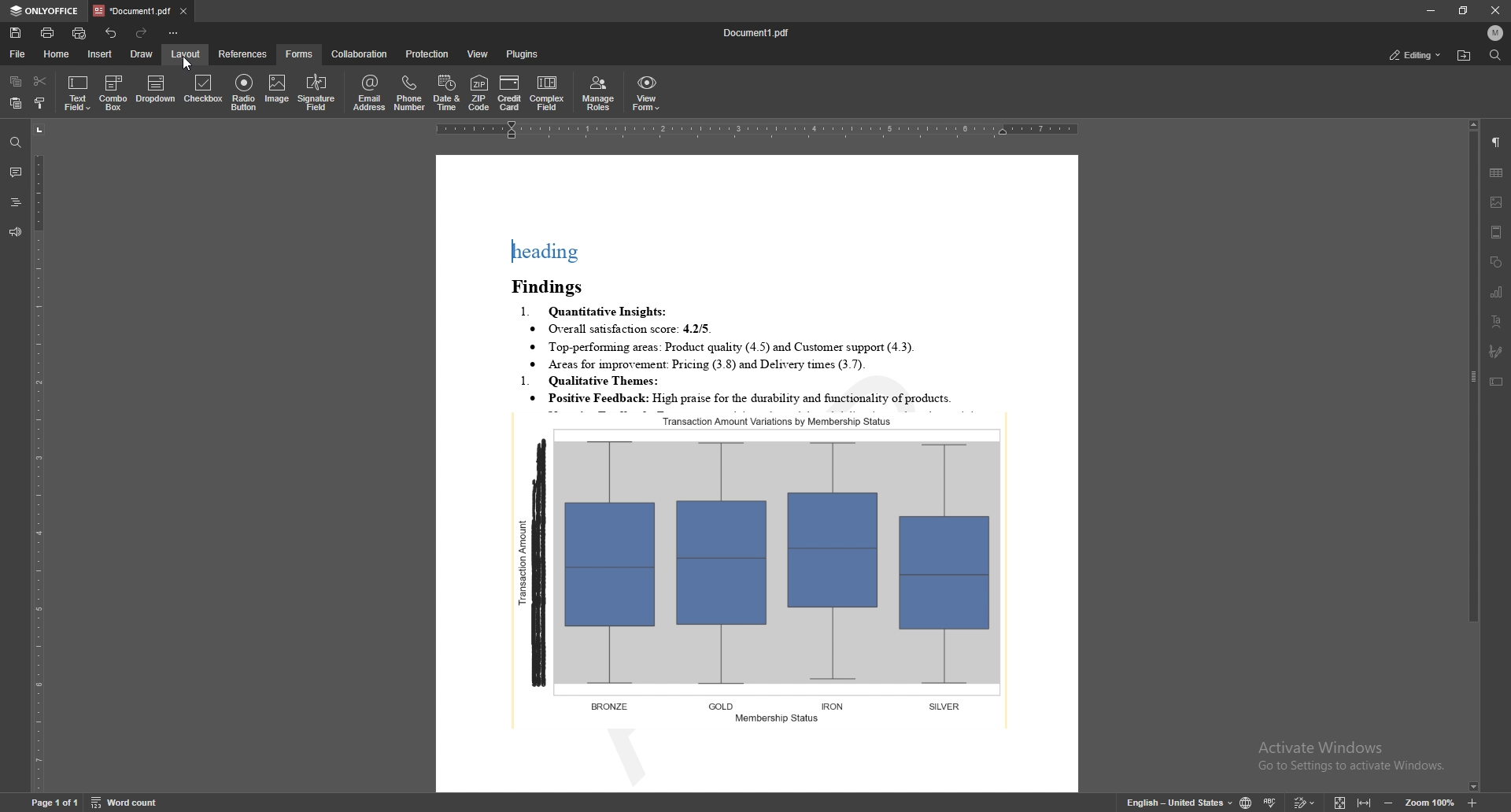 The height and width of the screenshot is (812, 1511). Describe the element at coordinates (1496, 262) in the screenshot. I see `shapes` at that location.